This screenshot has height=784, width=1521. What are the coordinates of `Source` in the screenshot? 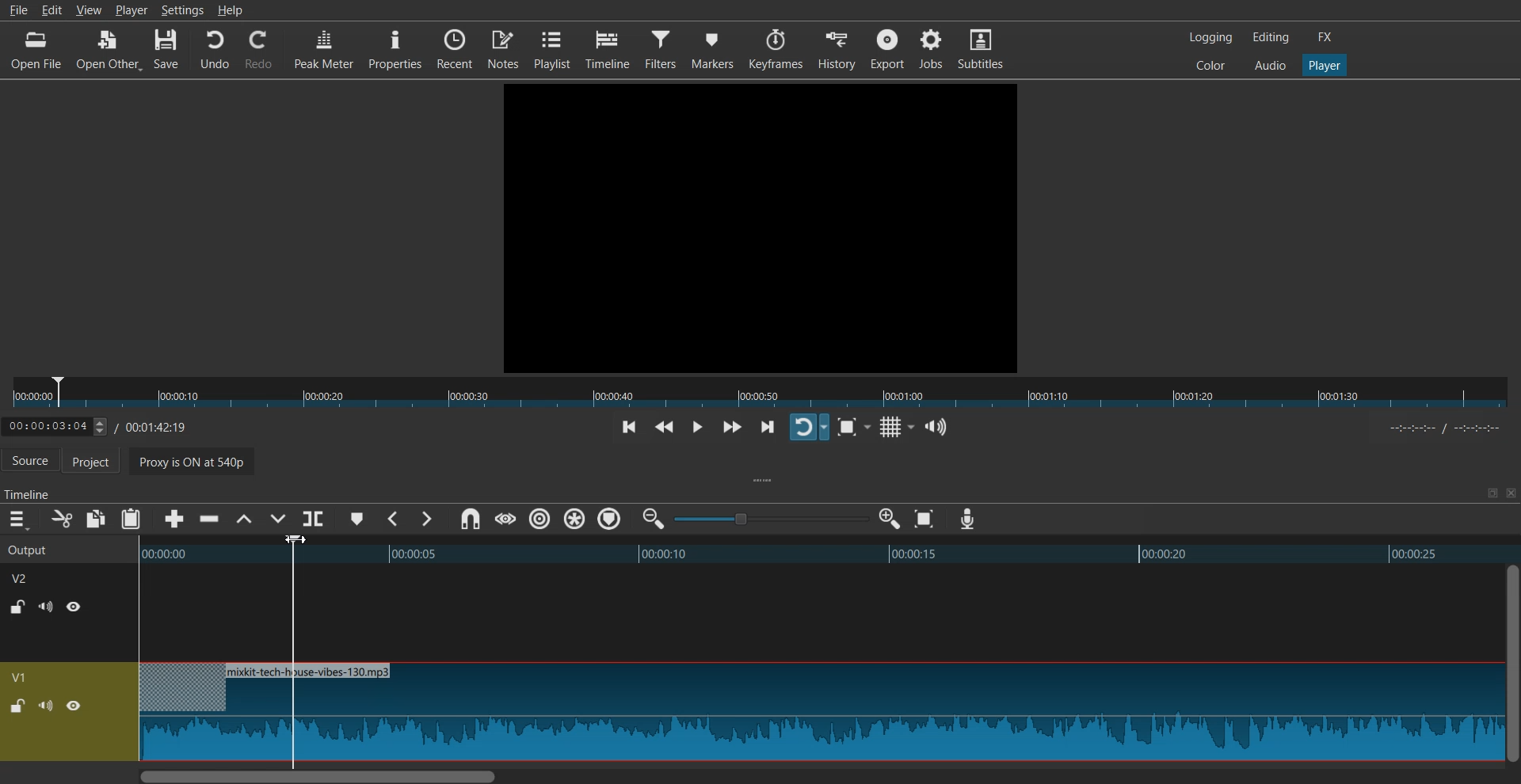 It's located at (30, 462).